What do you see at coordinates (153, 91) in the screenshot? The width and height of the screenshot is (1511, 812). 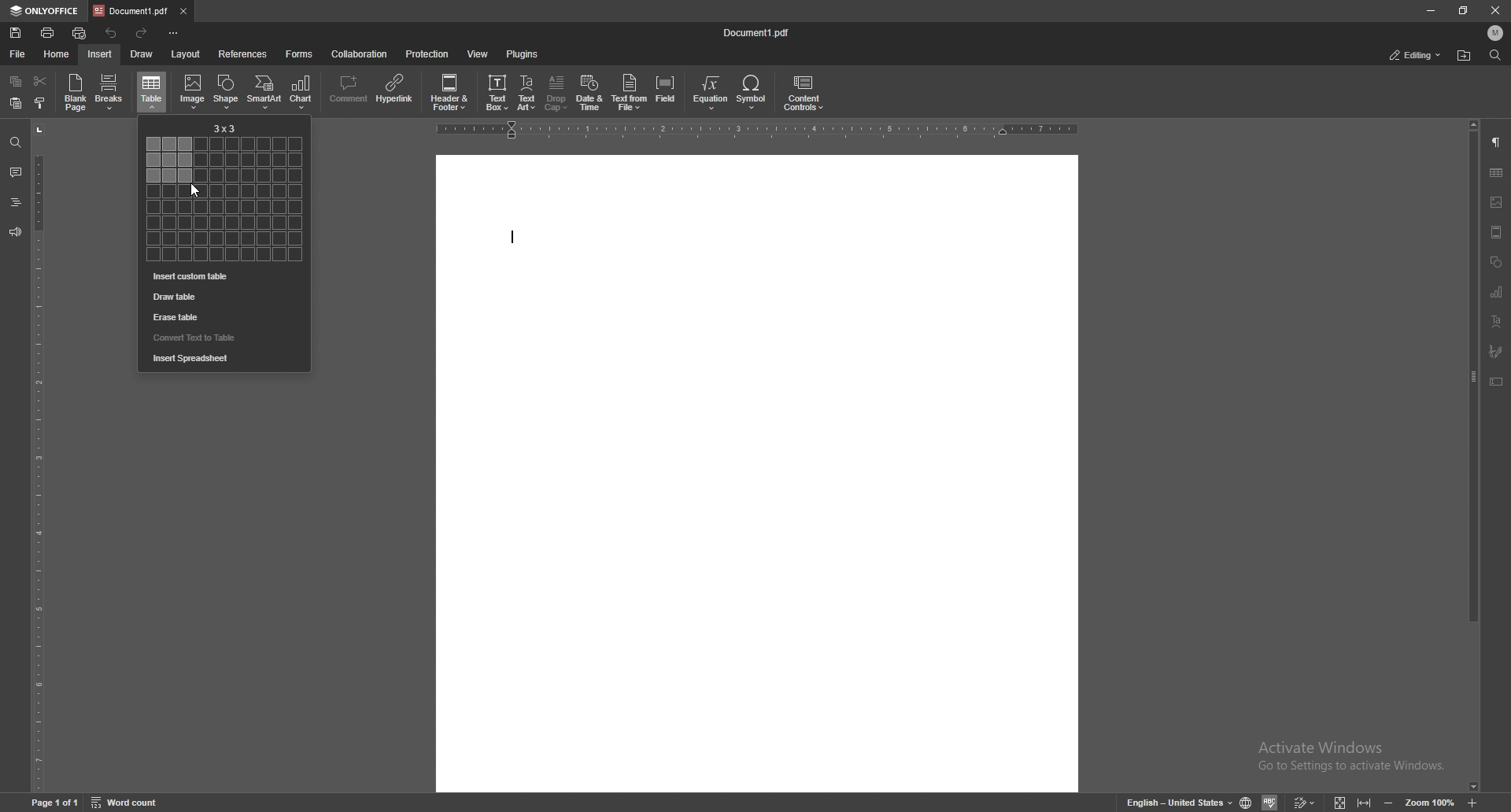 I see `table` at bounding box center [153, 91].